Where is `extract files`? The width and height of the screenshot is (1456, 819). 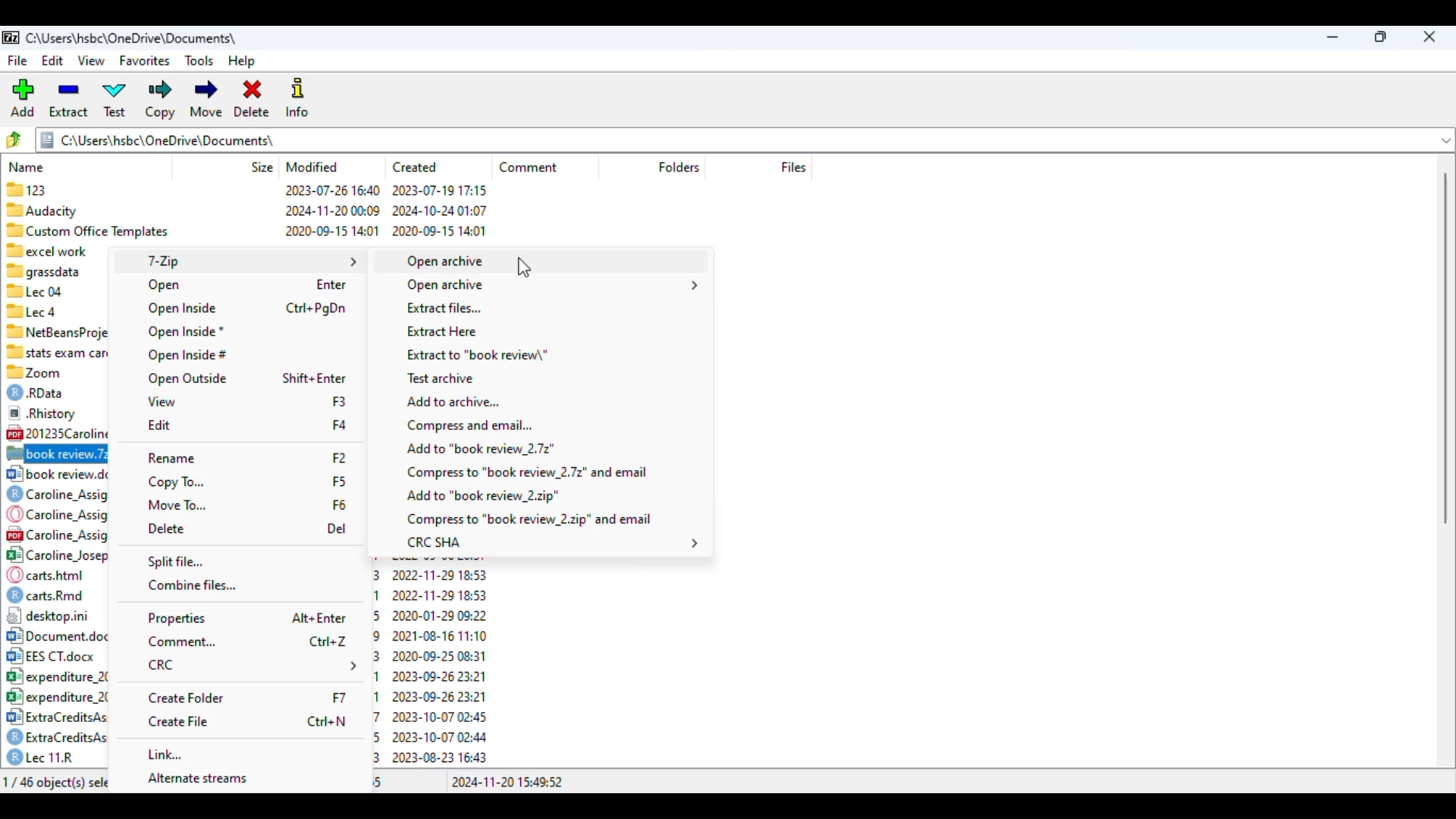 extract files is located at coordinates (443, 309).